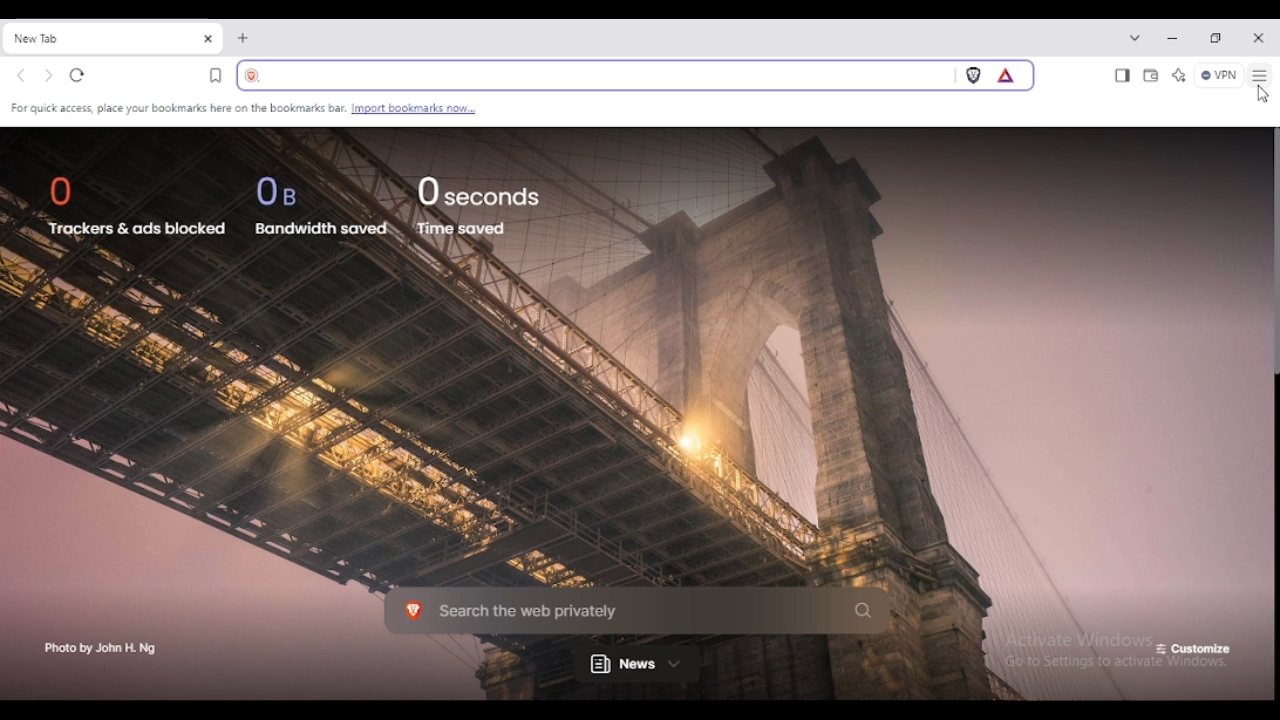 This screenshot has height=720, width=1280. I want to click on go forward, so click(49, 77).